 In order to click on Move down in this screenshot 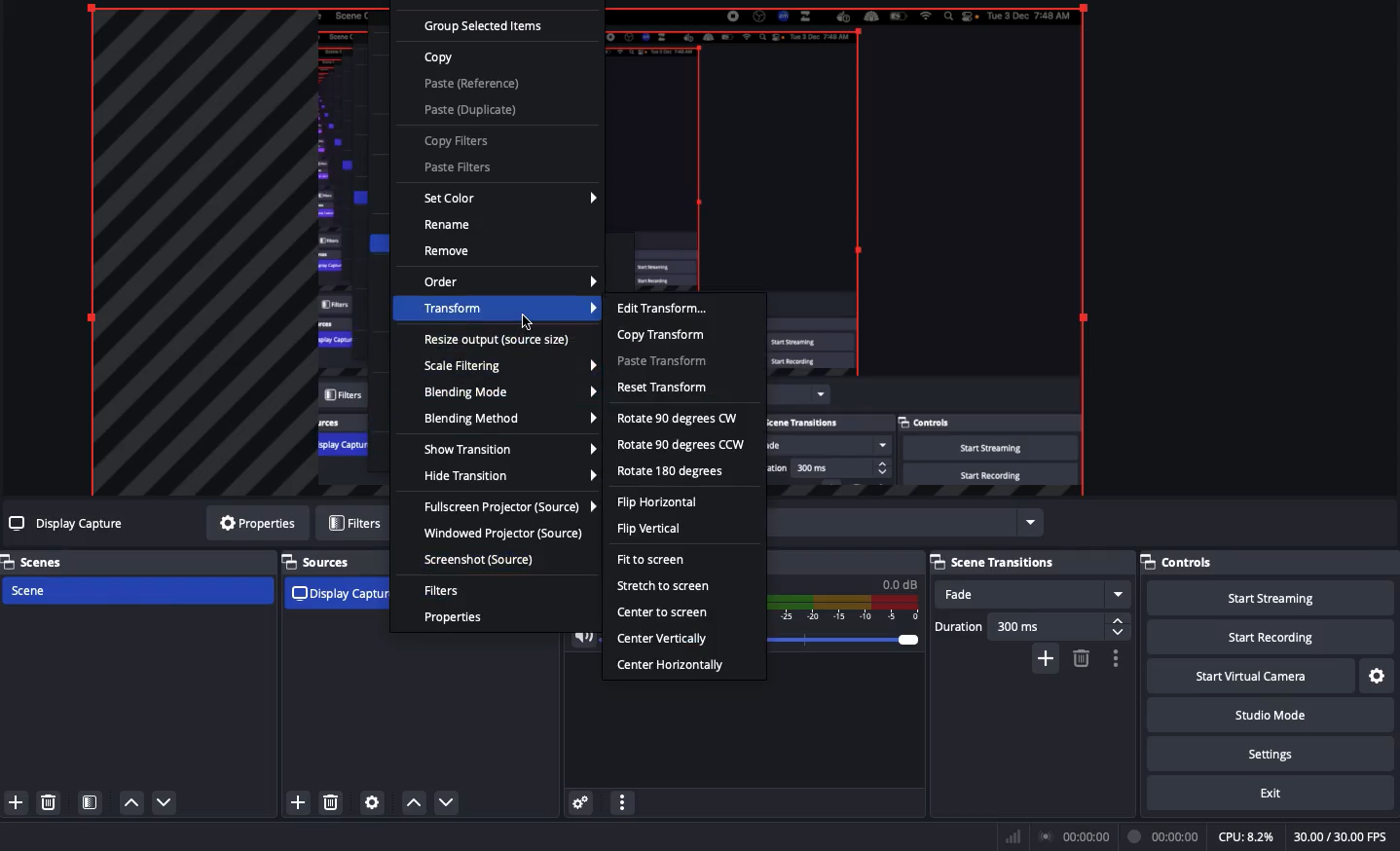, I will do `click(166, 801)`.